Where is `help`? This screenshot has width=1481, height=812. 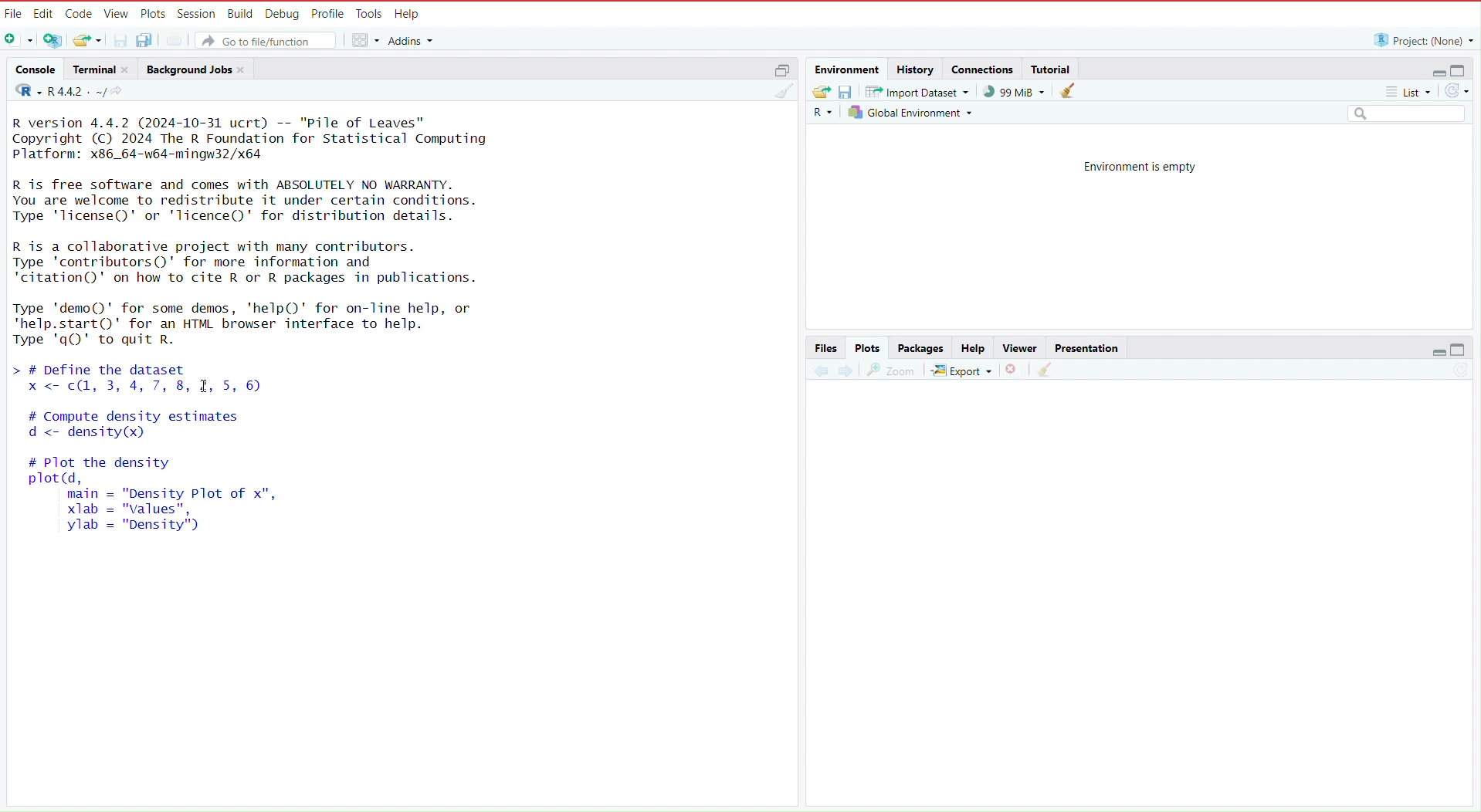
help is located at coordinates (971, 347).